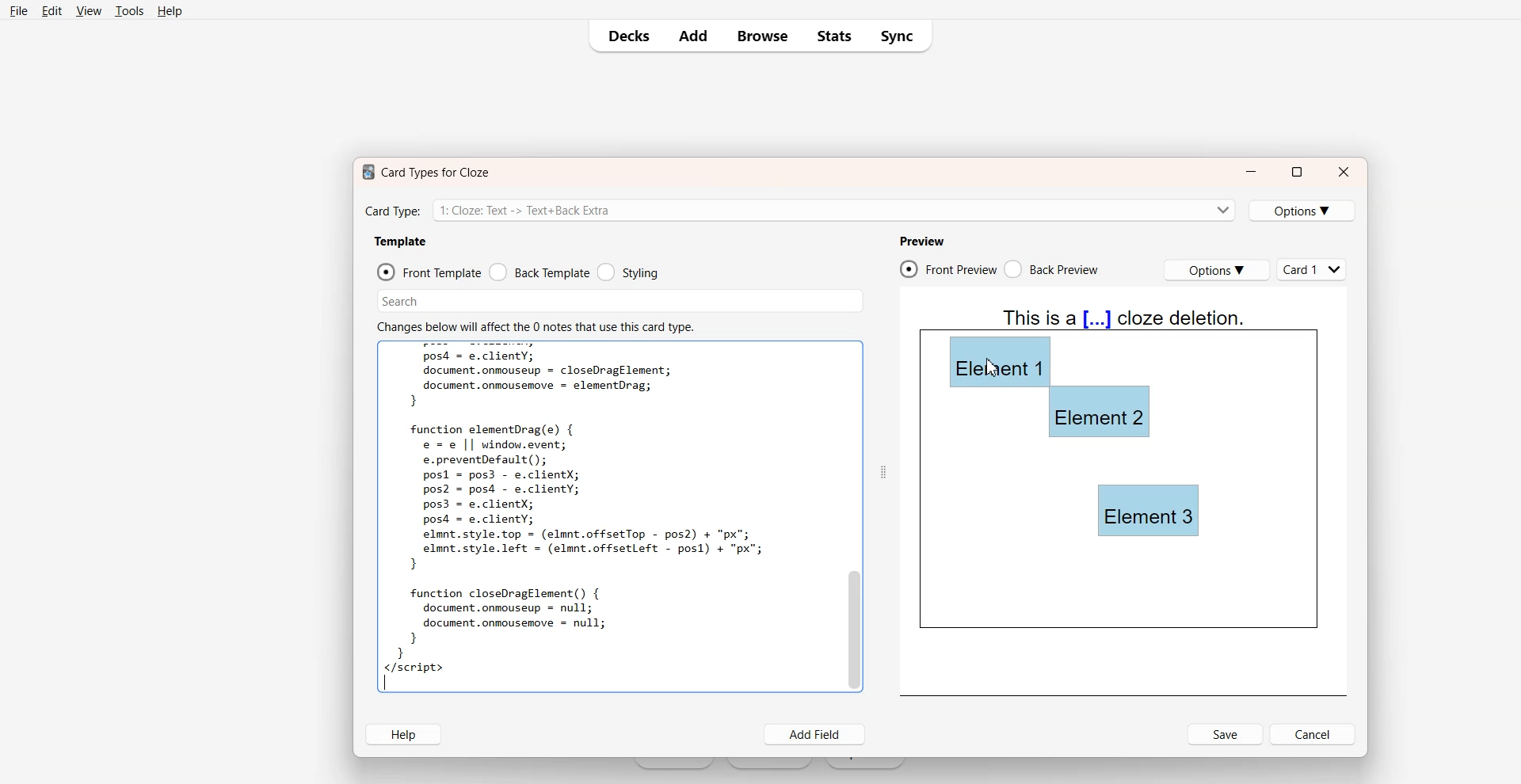 The height and width of the screenshot is (784, 1521). I want to click on Element 3, so click(1149, 511).